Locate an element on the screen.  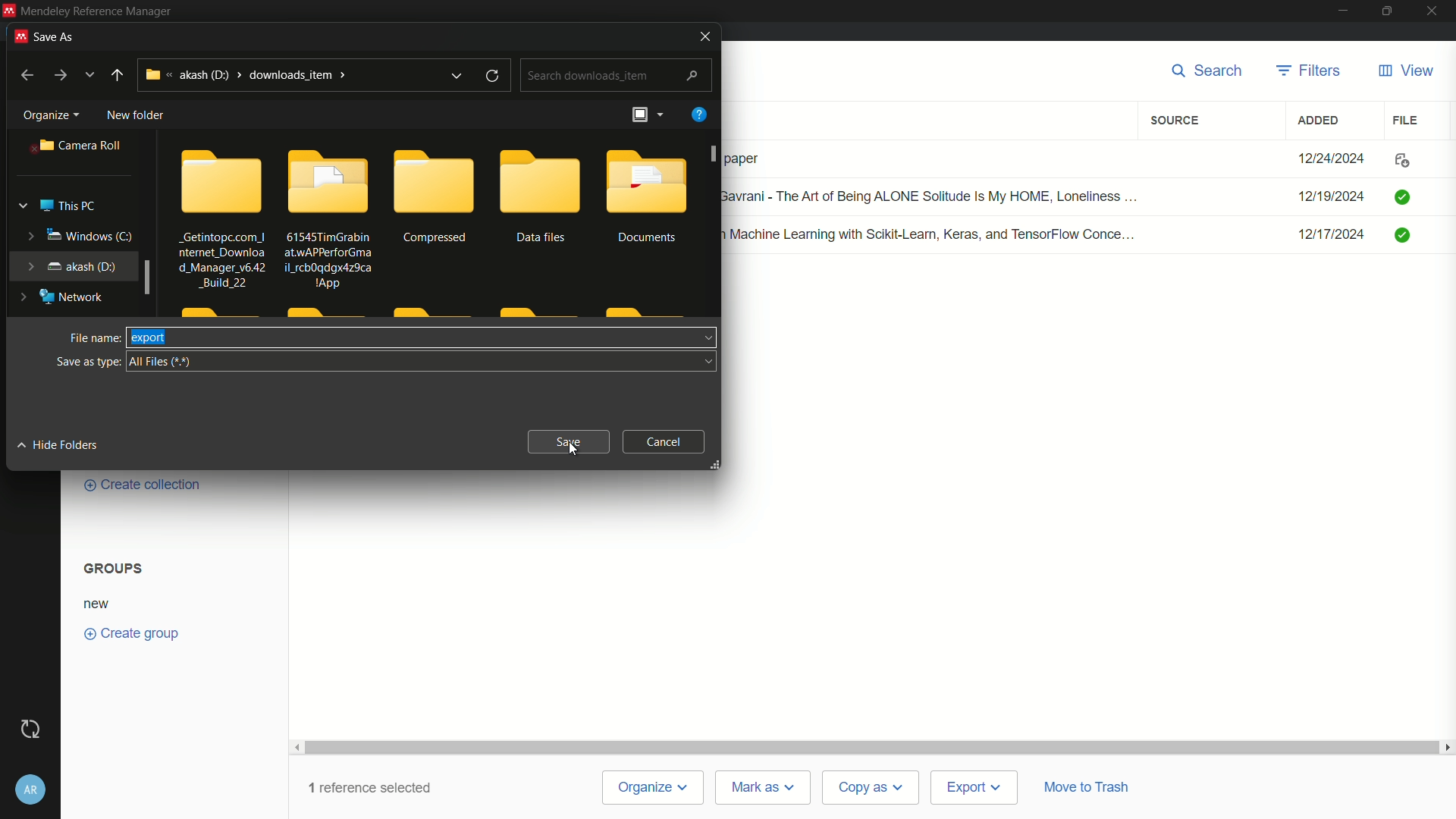
mark as is located at coordinates (764, 788).